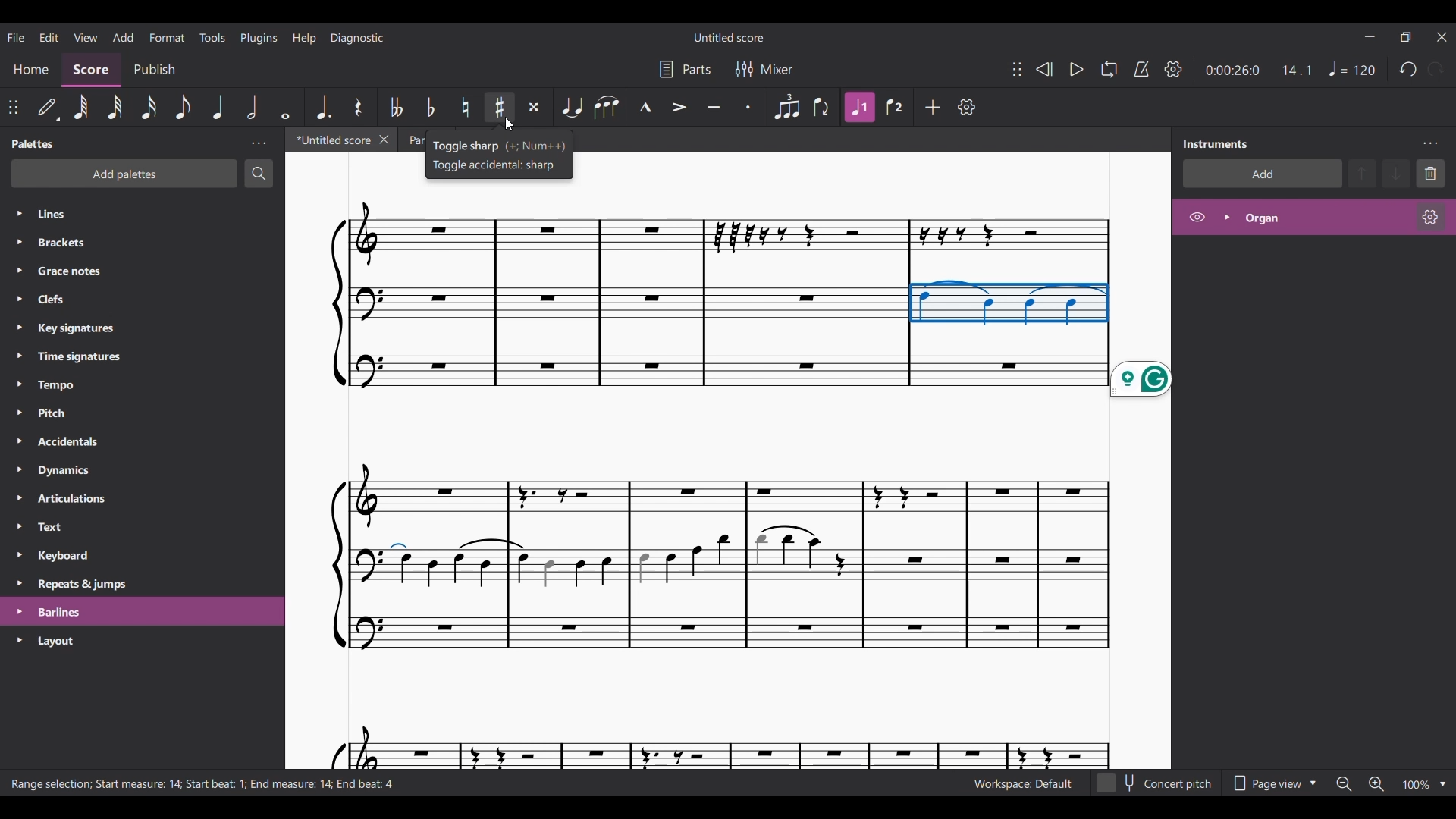 This screenshot has width=1456, height=819. Describe the element at coordinates (1351, 68) in the screenshot. I see `Tempo` at that location.